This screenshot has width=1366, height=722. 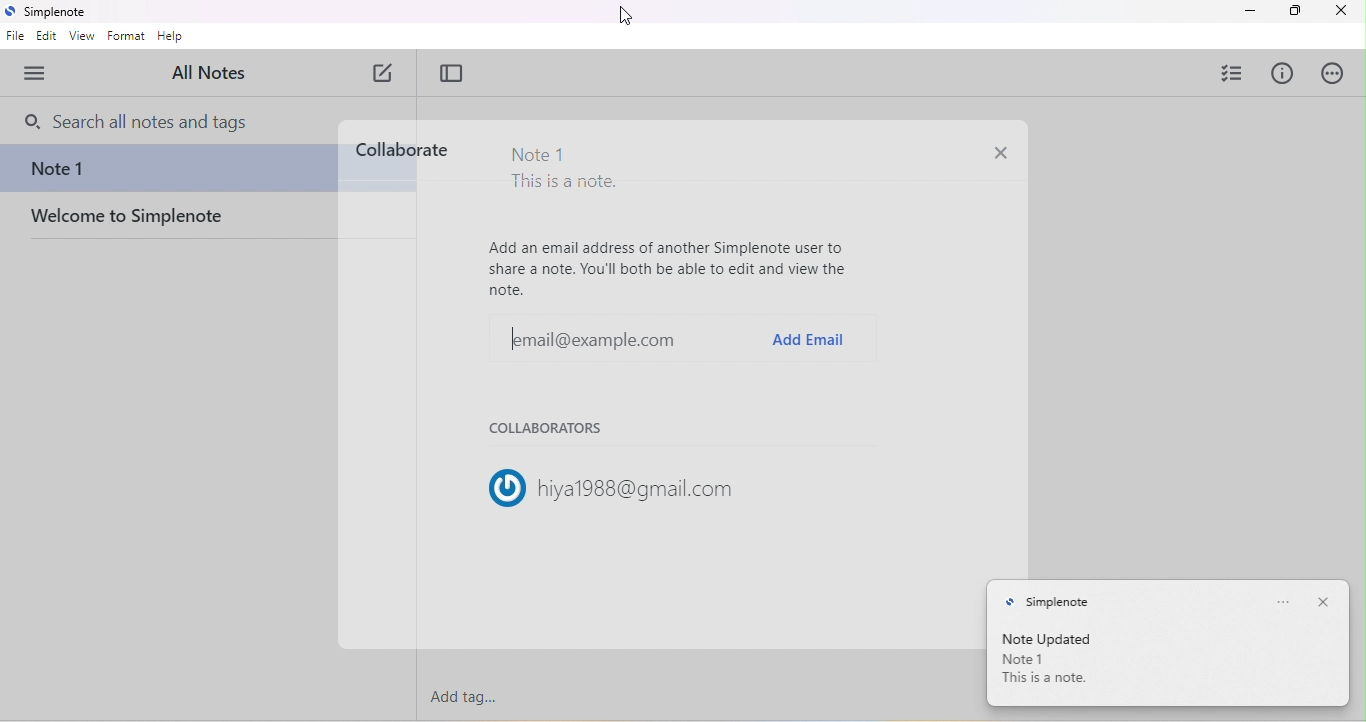 What do you see at coordinates (82, 37) in the screenshot?
I see `view` at bounding box center [82, 37].